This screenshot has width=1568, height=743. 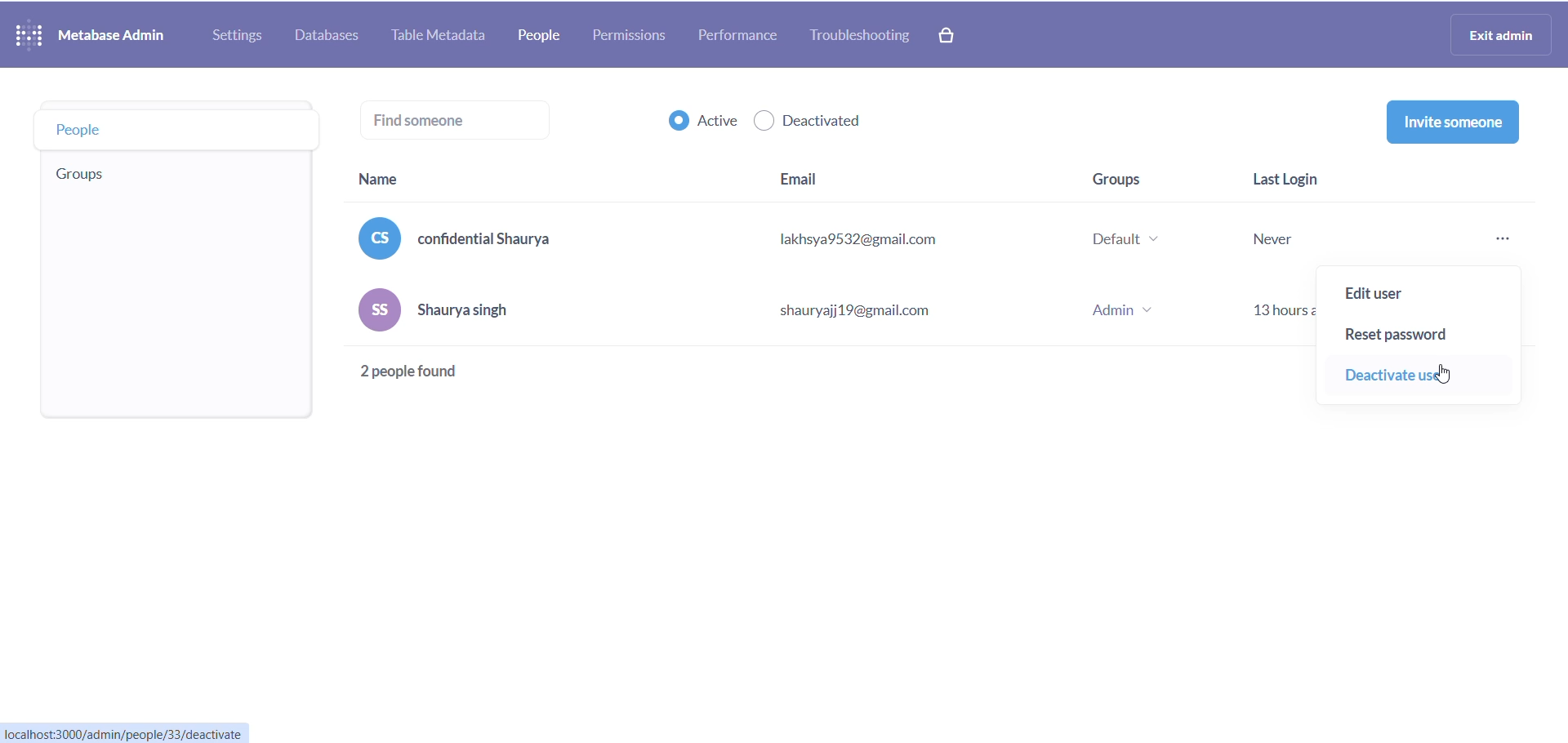 What do you see at coordinates (1136, 245) in the screenshot?
I see `group` at bounding box center [1136, 245].